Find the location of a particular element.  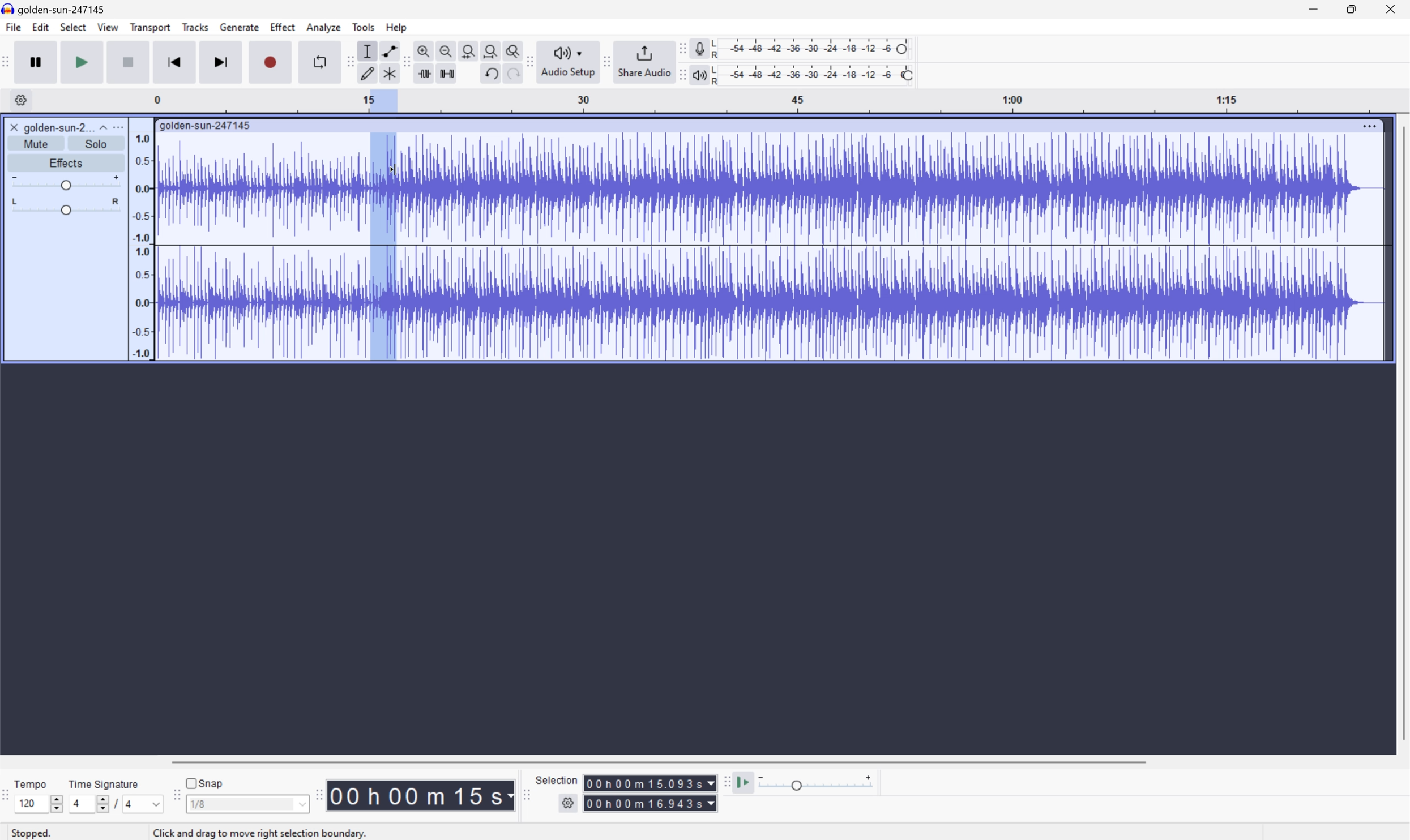

selection to width is located at coordinates (470, 49).